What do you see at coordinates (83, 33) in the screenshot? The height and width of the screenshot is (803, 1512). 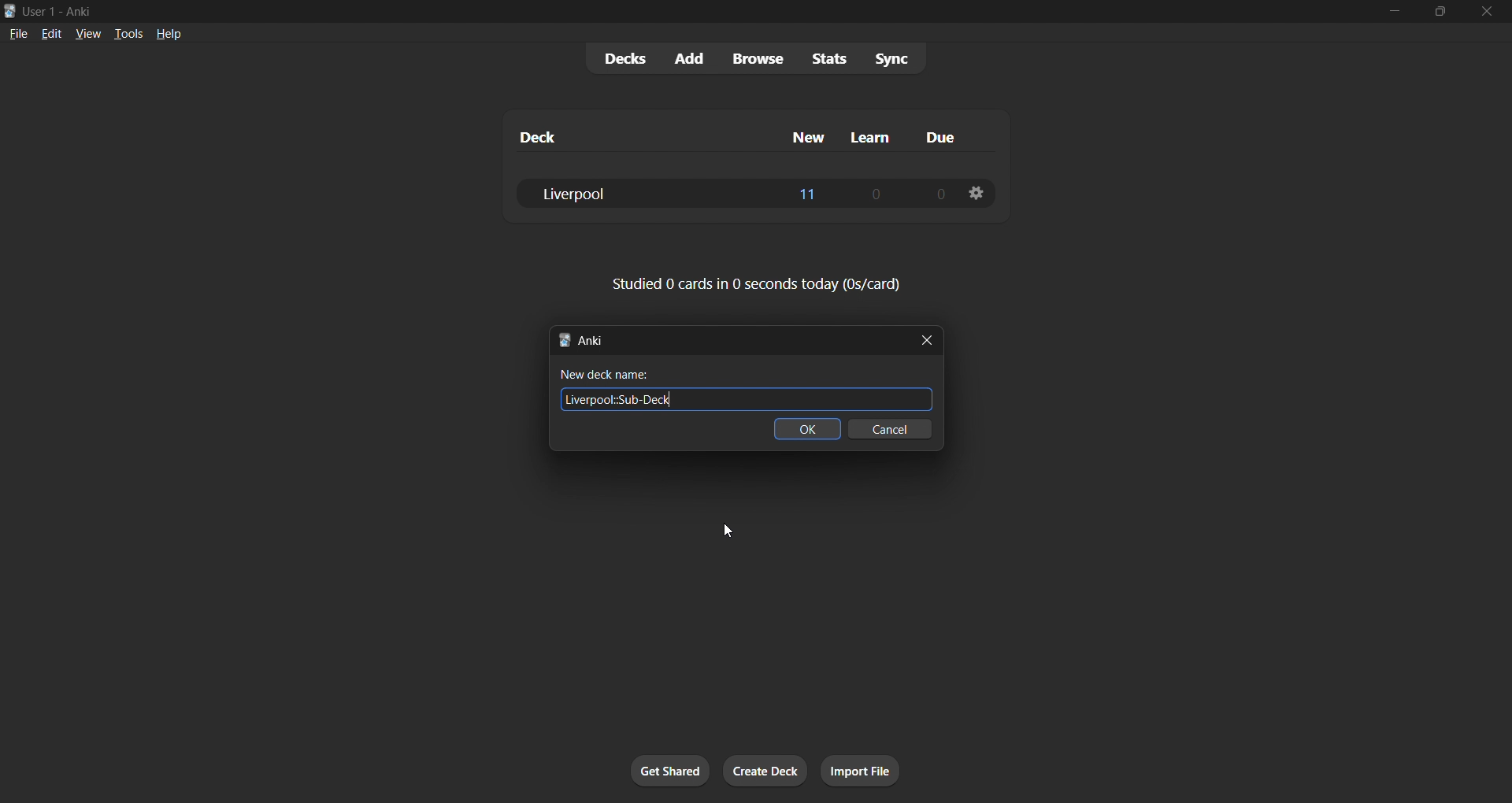 I see `view` at bounding box center [83, 33].